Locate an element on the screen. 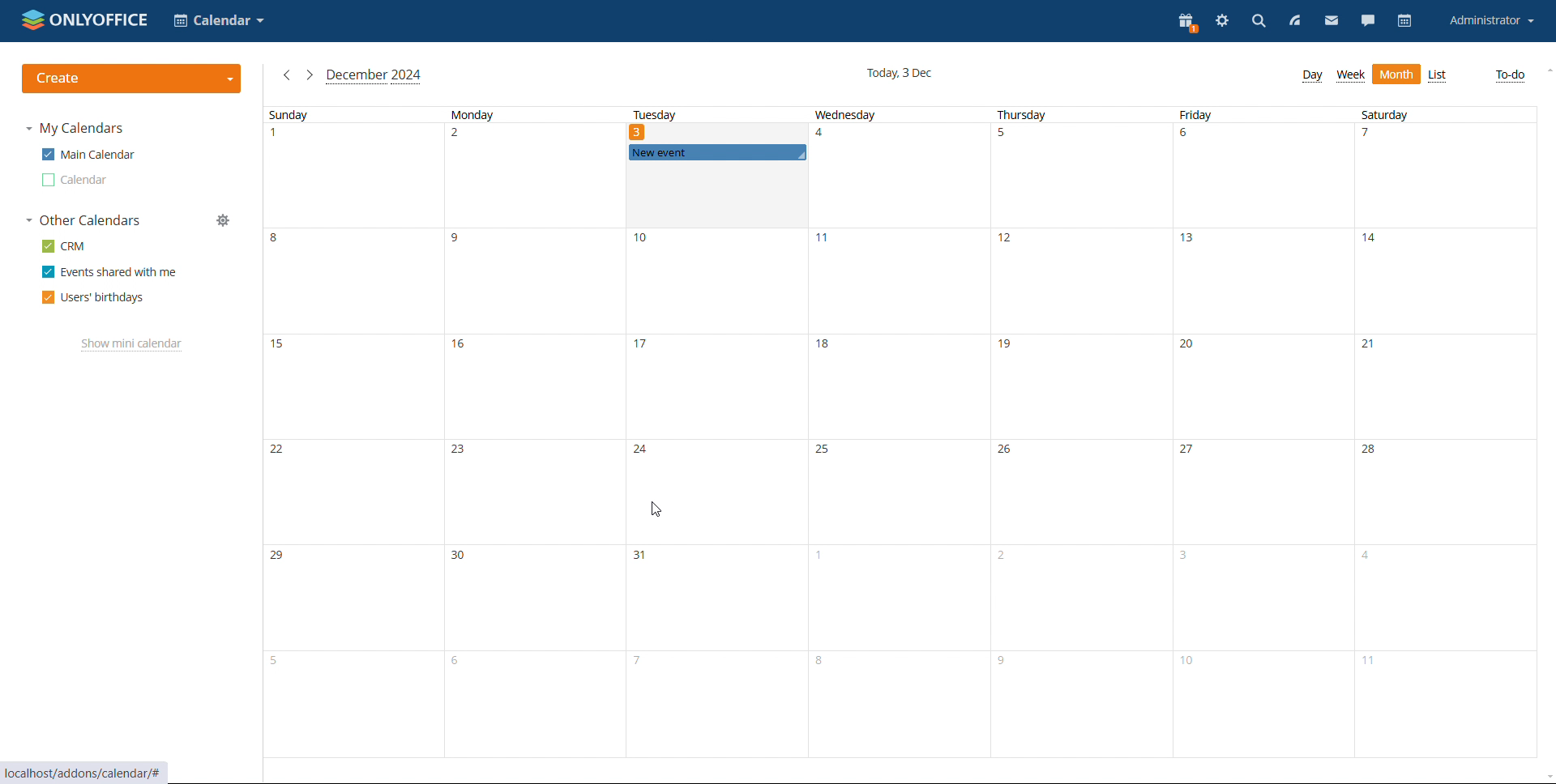 Image resolution: width=1556 pixels, height=784 pixels. friday is located at coordinates (1220, 115).